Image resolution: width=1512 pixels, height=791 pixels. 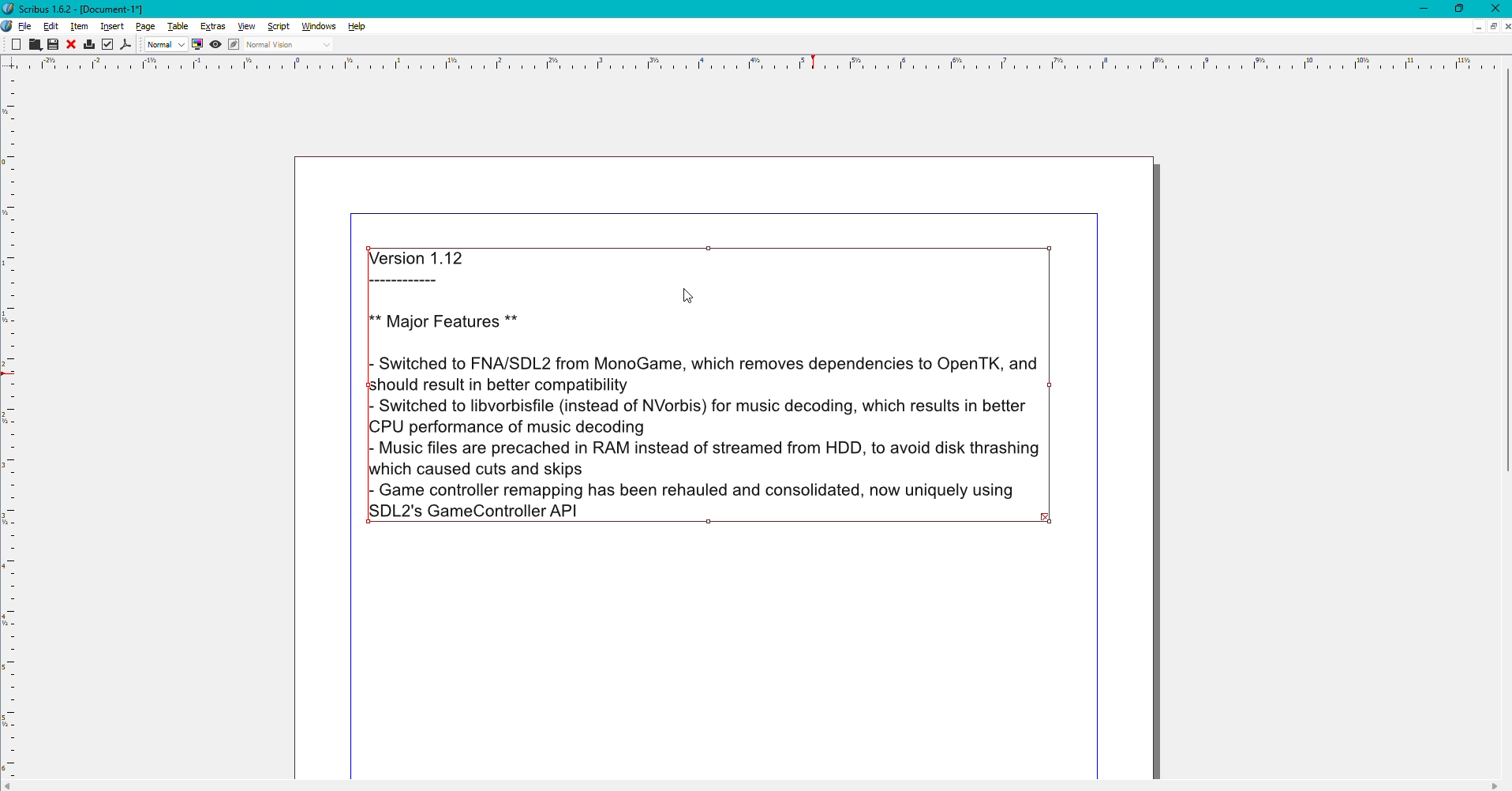 I want to click on Extras, so click(x=212, y=27).